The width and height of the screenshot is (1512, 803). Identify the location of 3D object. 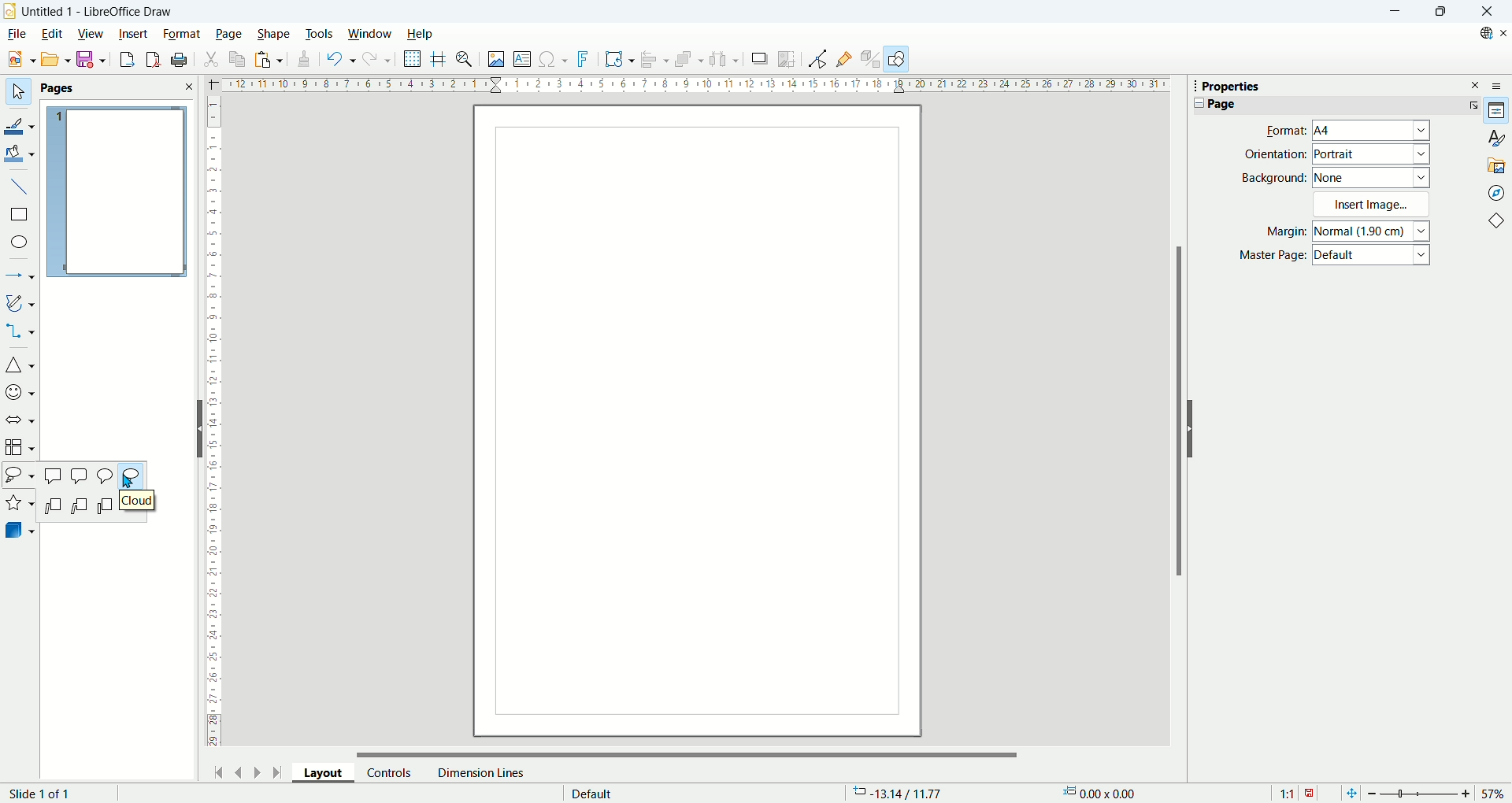
(21, 531).